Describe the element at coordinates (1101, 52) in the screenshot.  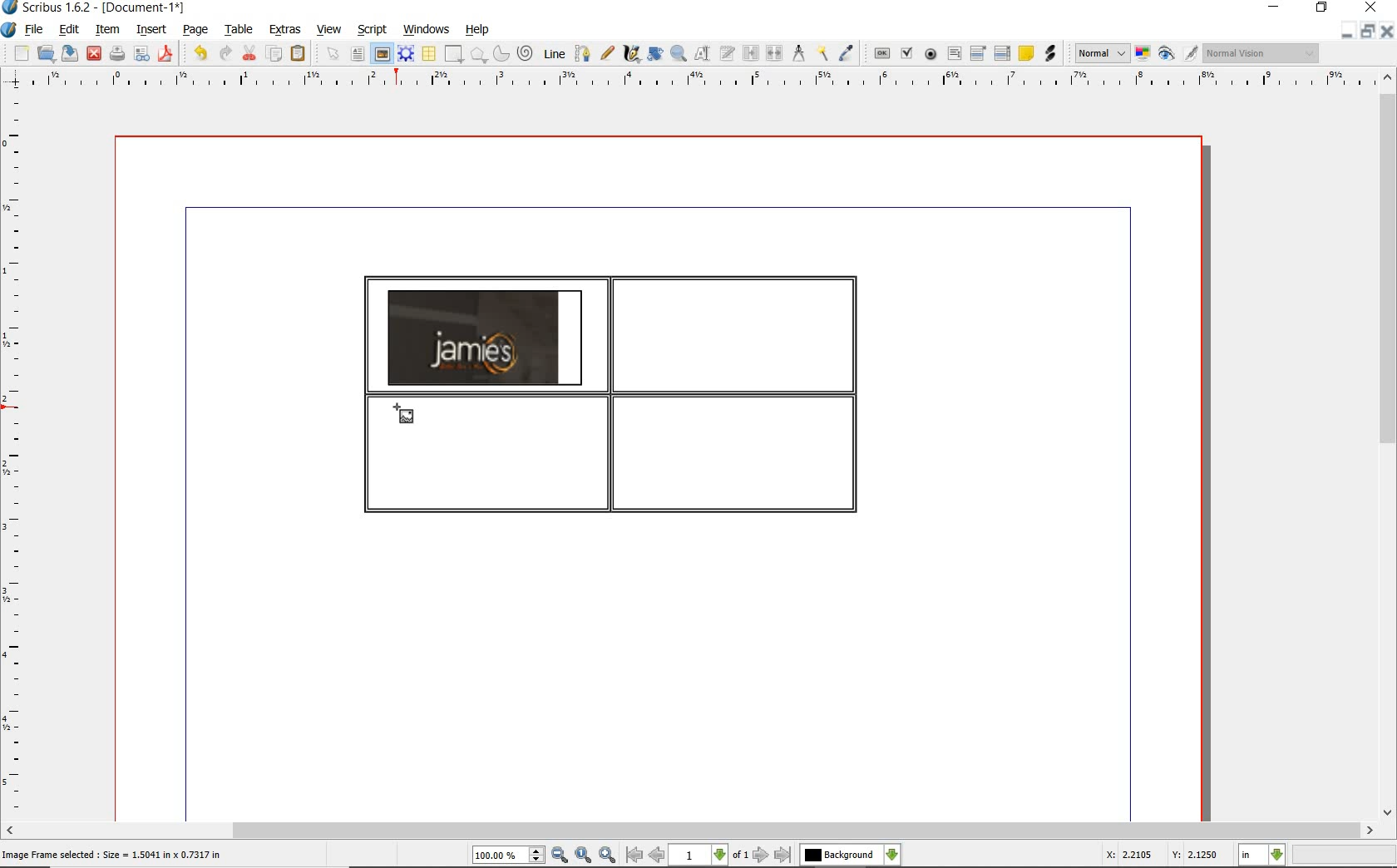
I see `image preview quality` at that location.